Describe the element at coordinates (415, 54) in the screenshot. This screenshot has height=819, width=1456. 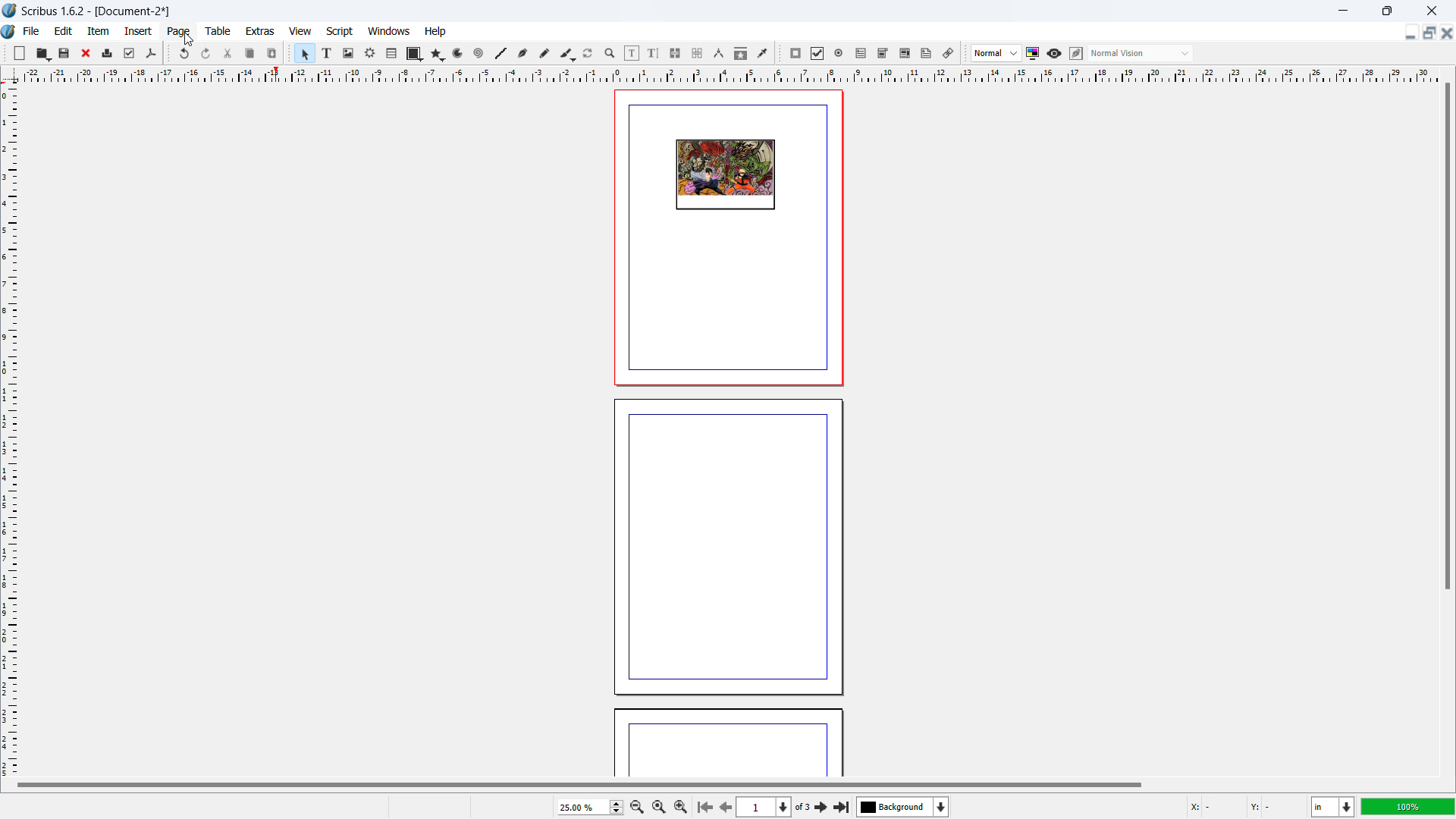
I see `shape` at that location.